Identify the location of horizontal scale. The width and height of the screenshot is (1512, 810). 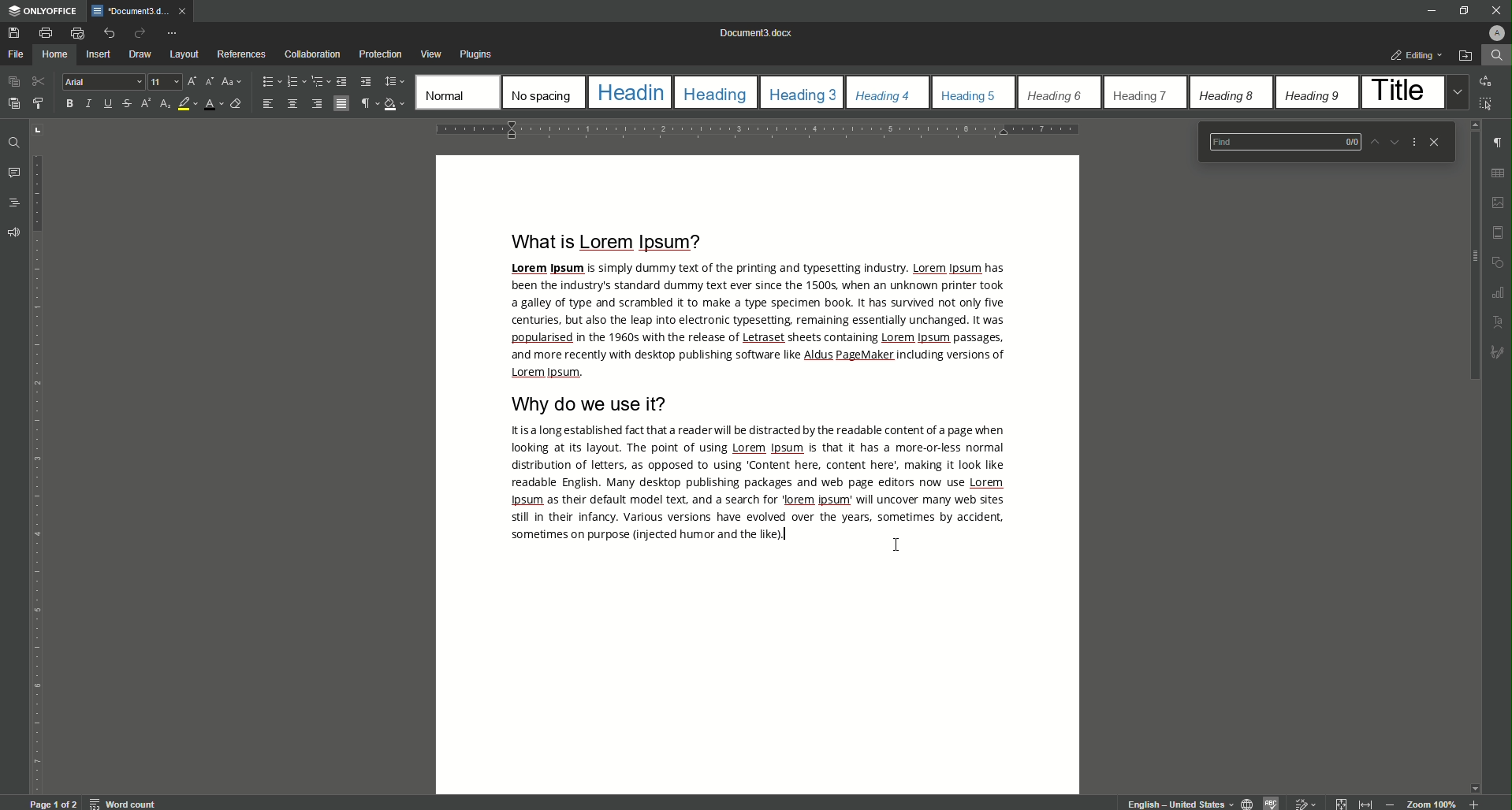
(756, 132).